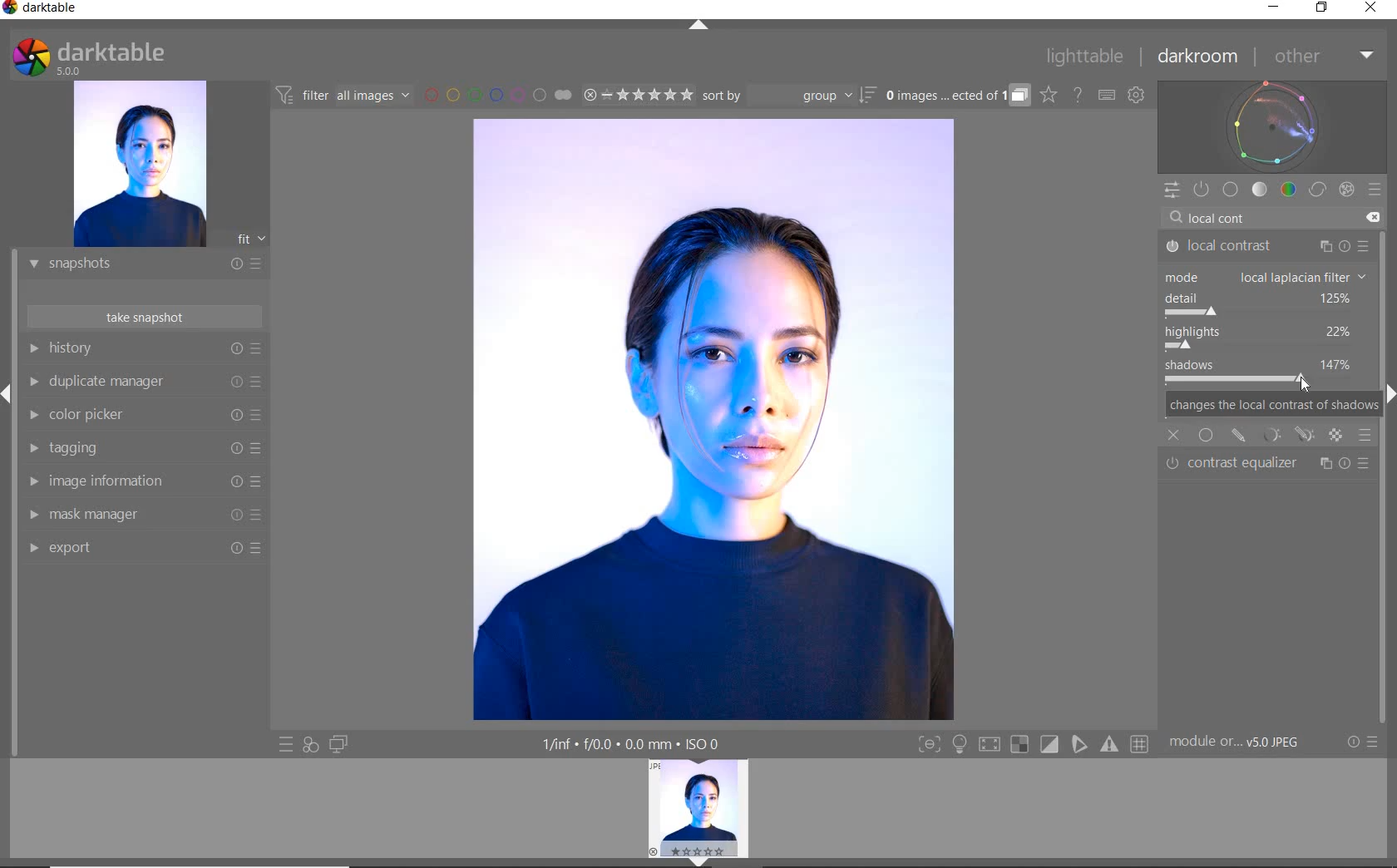  Describe the element at coordinates (1078, 94) in the screenshot. I see `HELP ONLINE` at that location.